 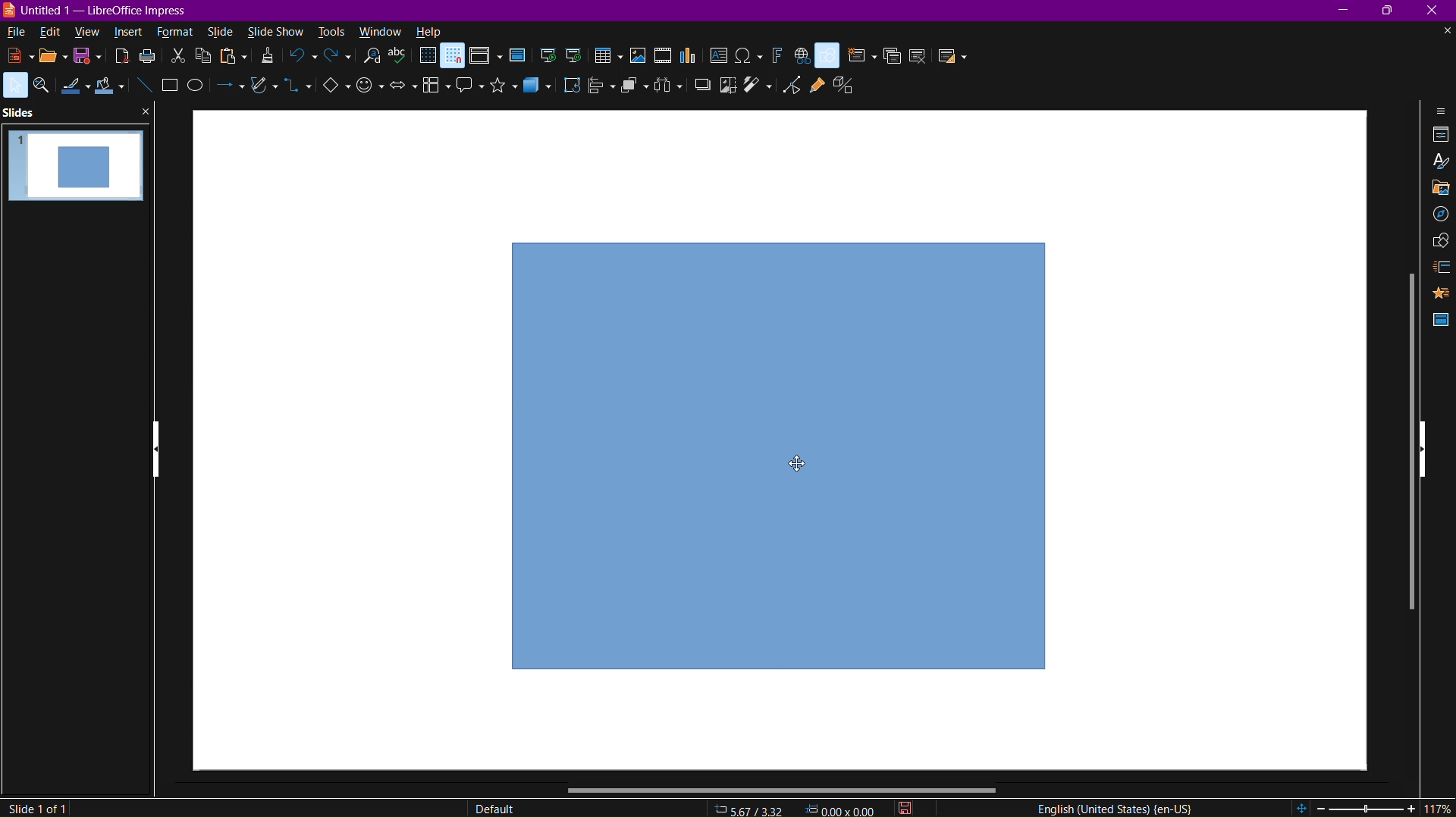 What do you see at coordinates (783, 789) in the screenshot?
I see `Scrollbar` at bounding box center [783, 789].